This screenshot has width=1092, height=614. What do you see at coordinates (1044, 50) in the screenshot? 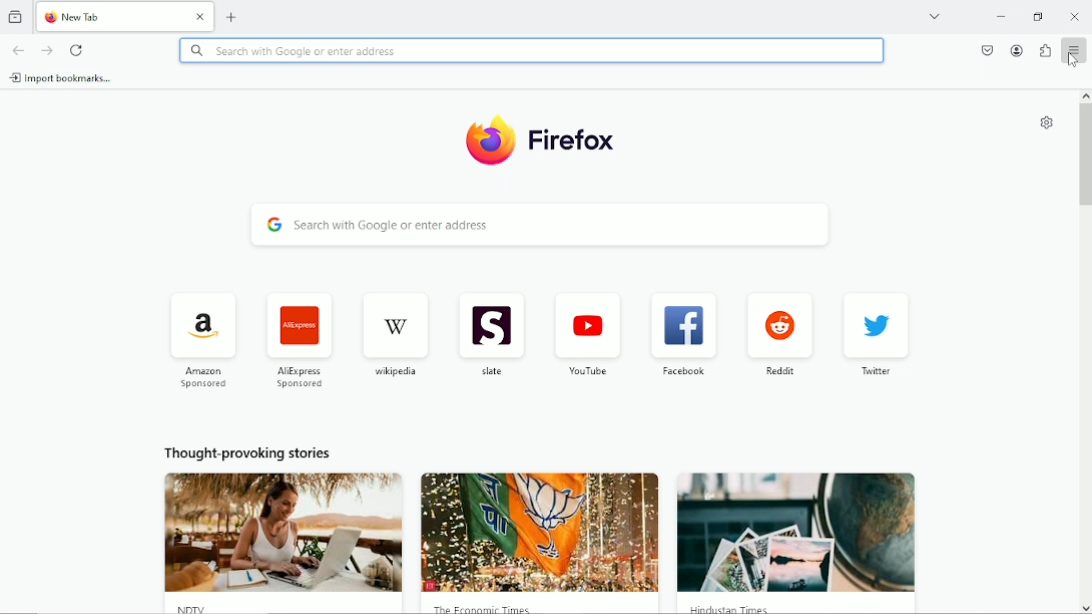
I see `extensions` at bounding box center [1044, 50].